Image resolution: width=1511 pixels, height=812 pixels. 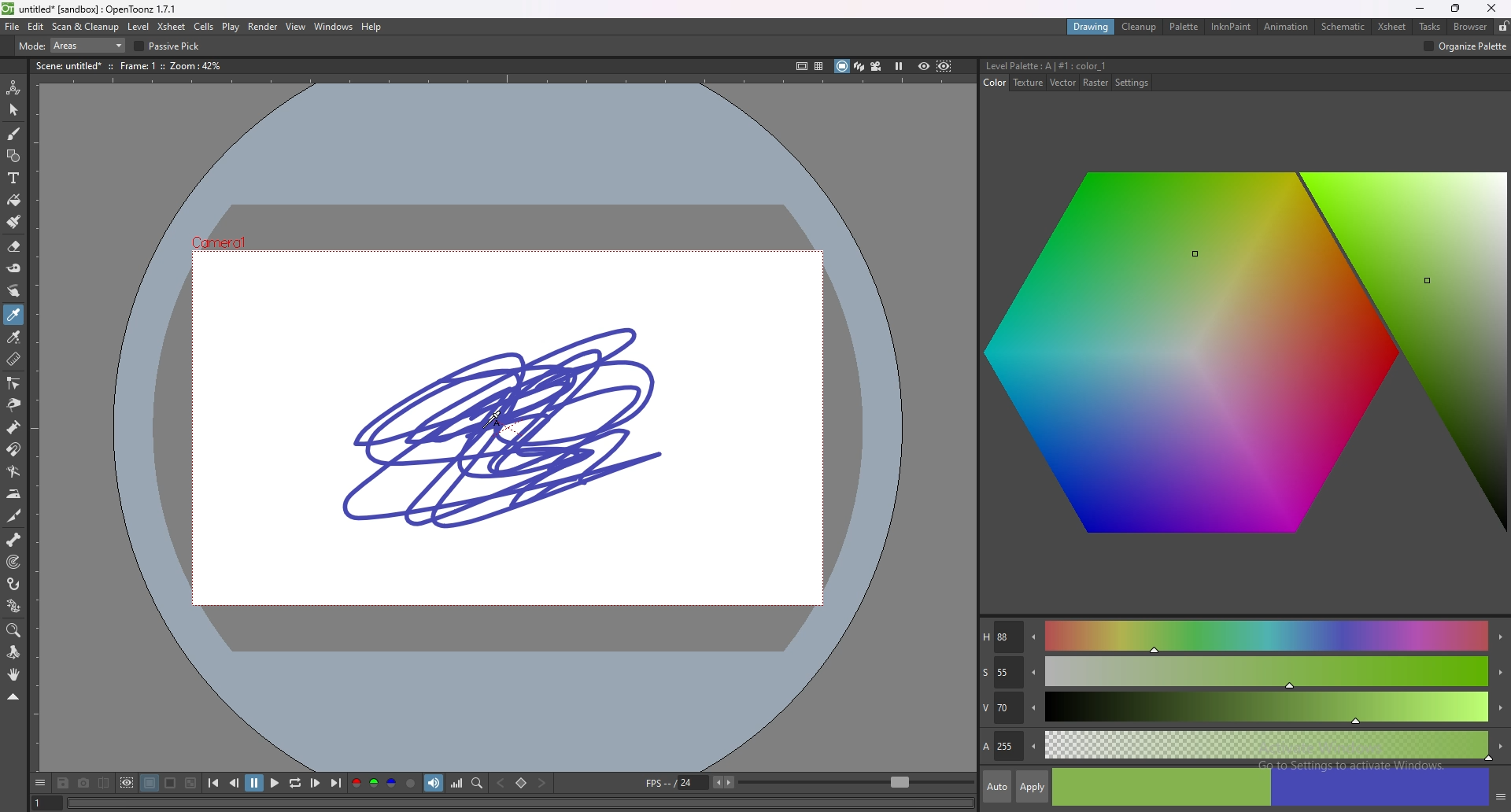 What do you see at coordinates (294, 783) in the screenshot?
I see `loop` at bounding box center [294, 783].